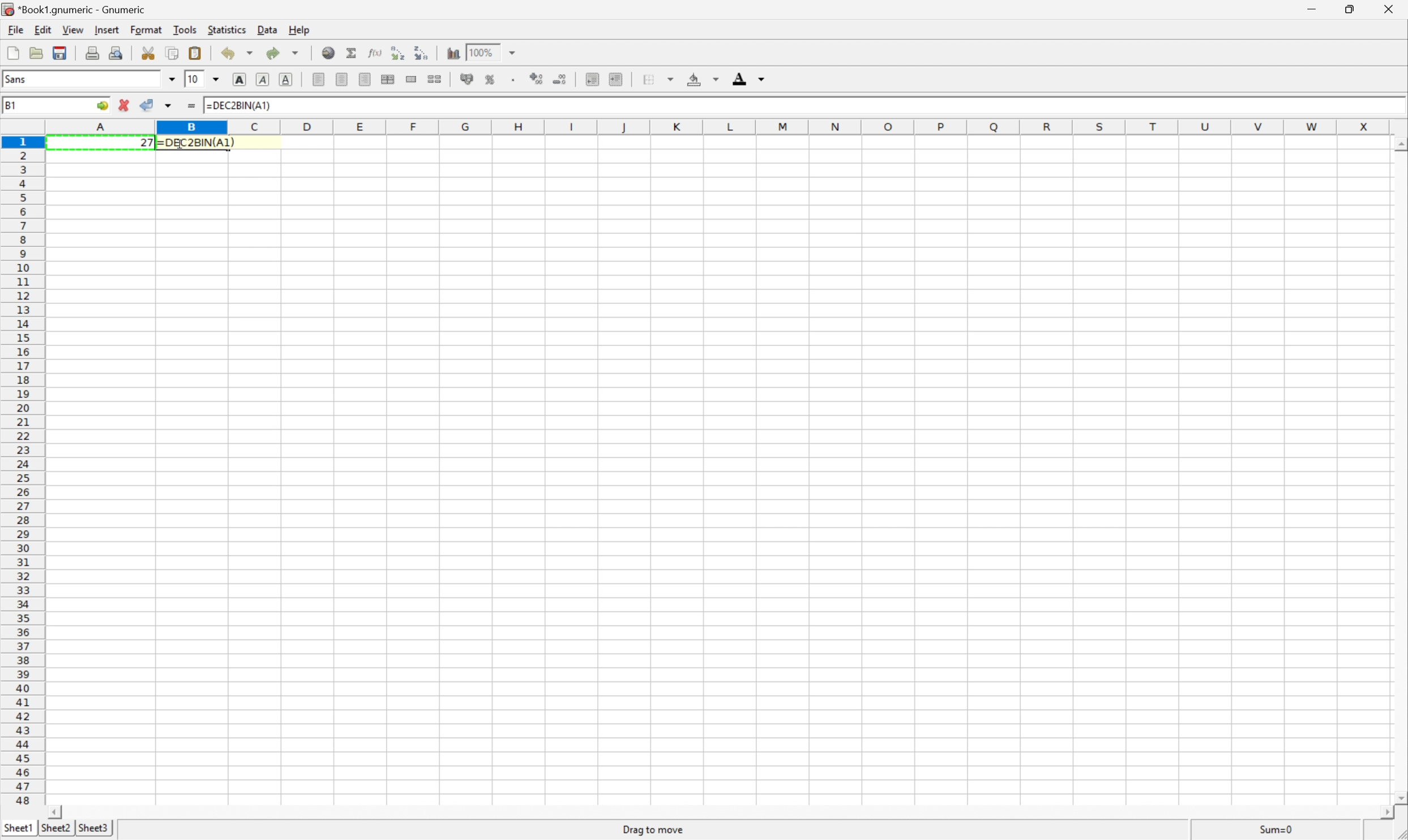 The image size is (1408, 840). What do you see at coordinates (657, 78) in the screenshot?
I see `Borders` at bounding box center [657, 78].